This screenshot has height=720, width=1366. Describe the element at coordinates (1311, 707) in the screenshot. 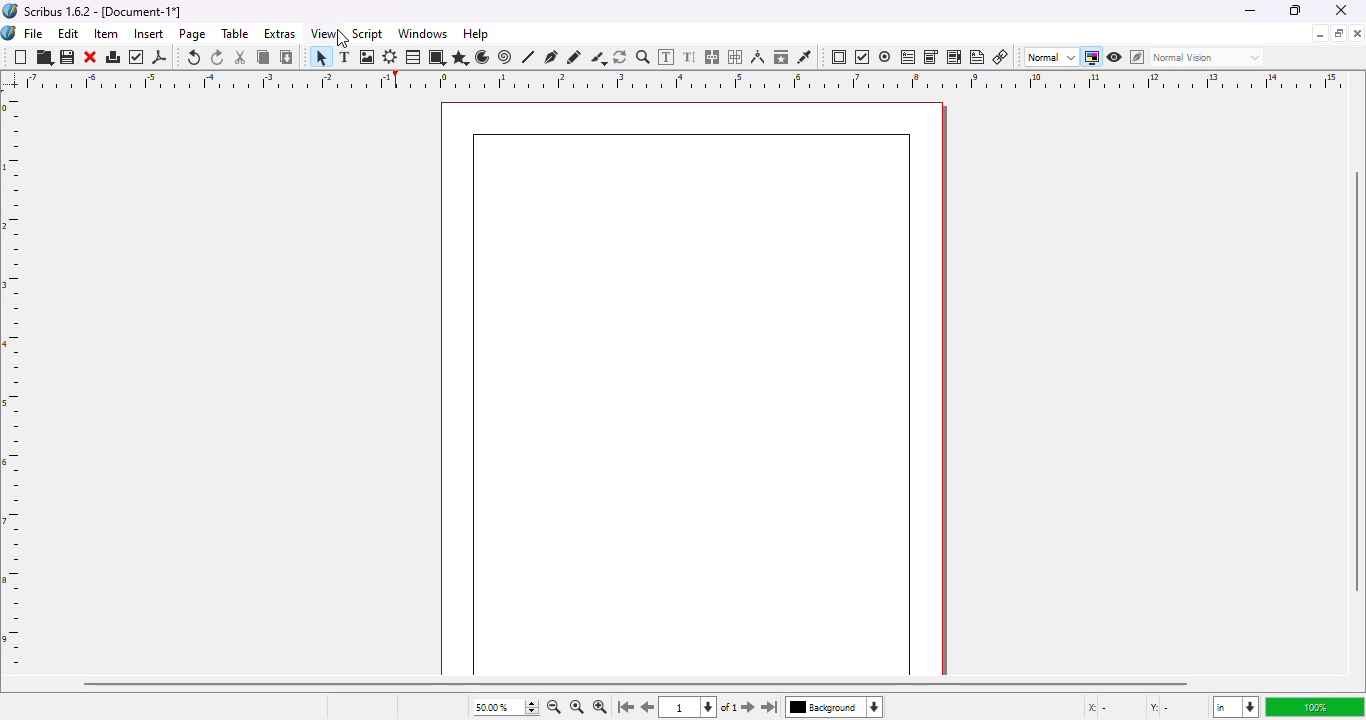

I see `100%` at that location.